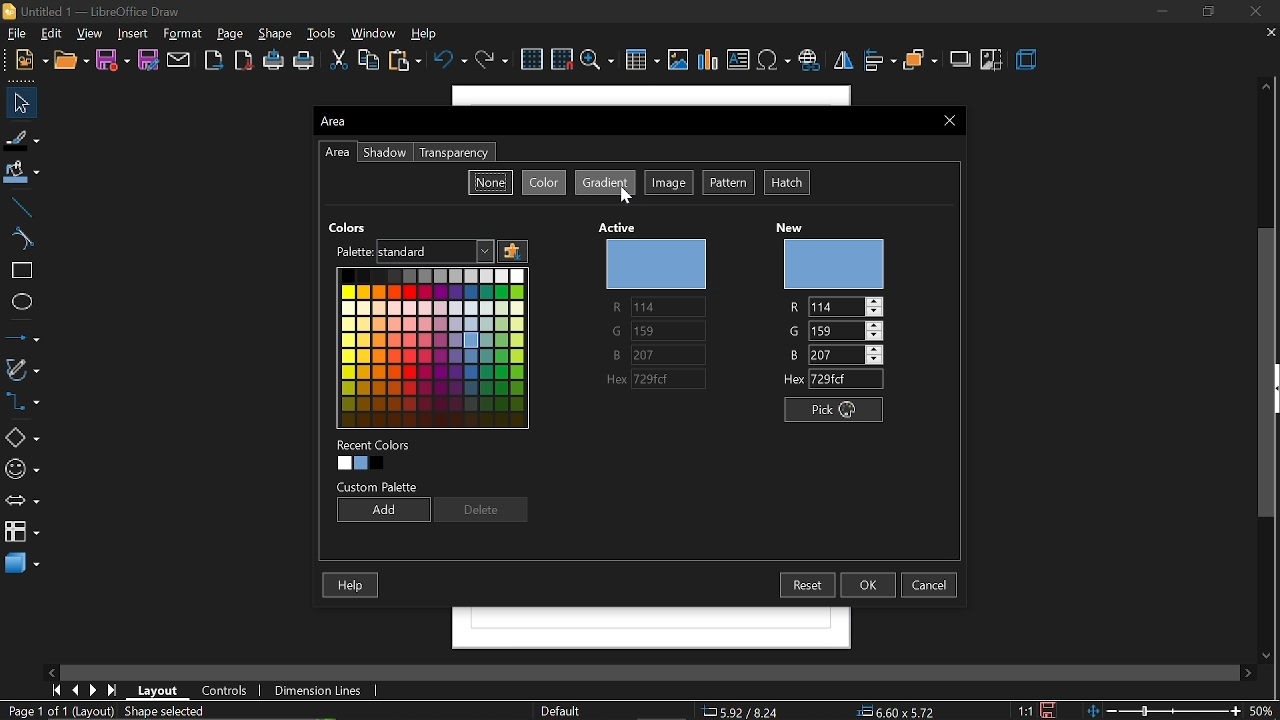 The image size is (1280, 720). What do you see at coordinates (22, 370) in the screenshot?
I see `curves and polygons` at bounding box center [22, 370].